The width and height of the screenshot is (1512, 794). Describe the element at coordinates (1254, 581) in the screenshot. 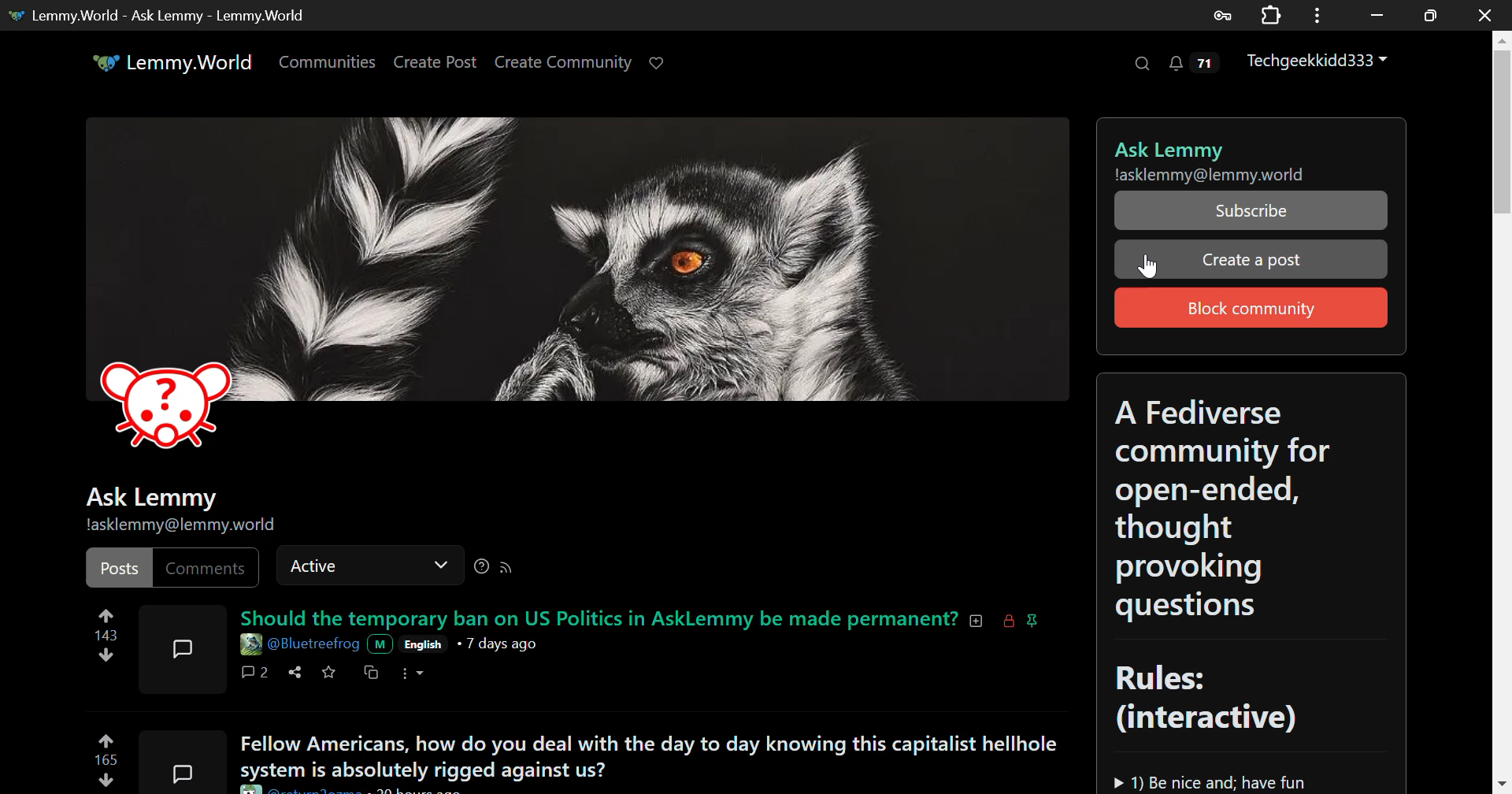

I see `Community Rules` at that location.